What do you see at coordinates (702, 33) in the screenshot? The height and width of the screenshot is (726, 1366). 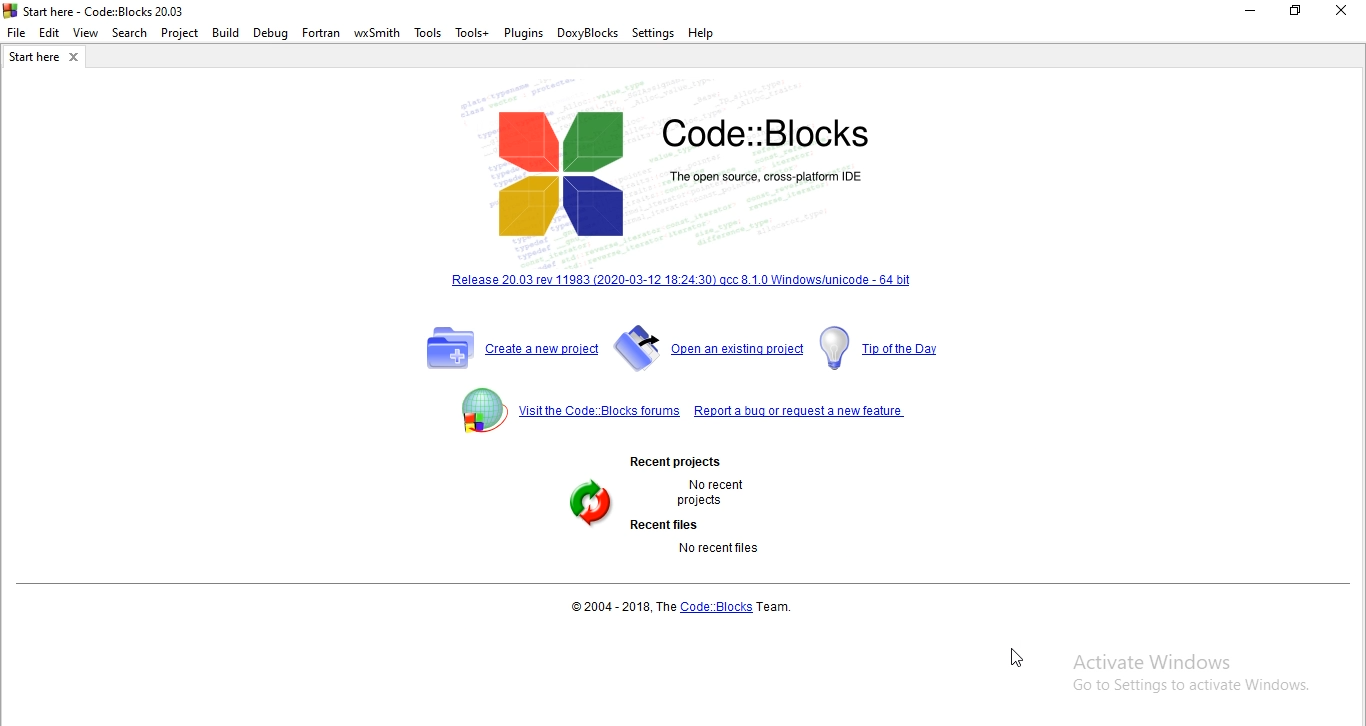 I see `Help` at bounding box center [702, 33].